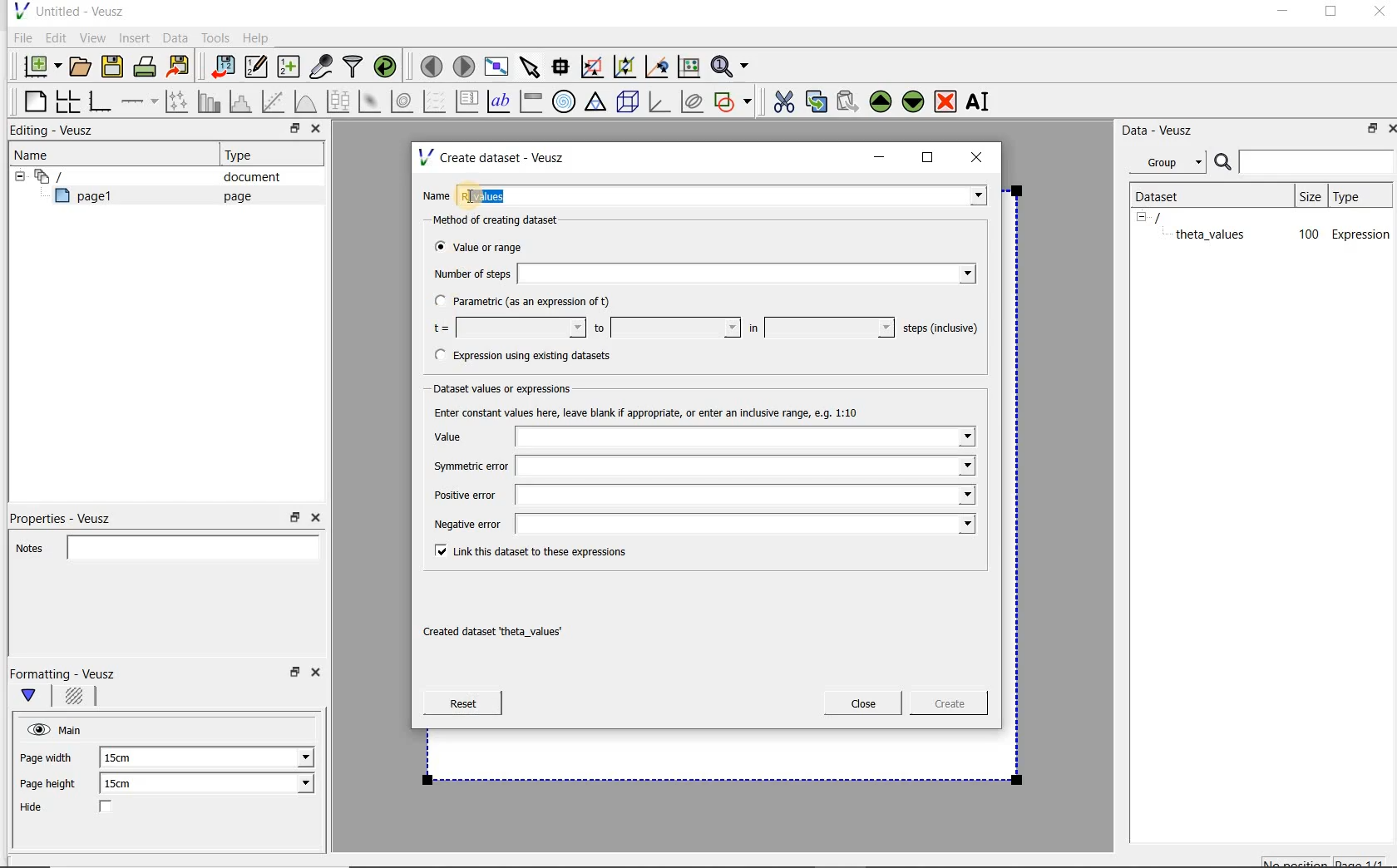  Describe the element at coordinates (468, 101) in the screenshot. I see `plot key` at that location.